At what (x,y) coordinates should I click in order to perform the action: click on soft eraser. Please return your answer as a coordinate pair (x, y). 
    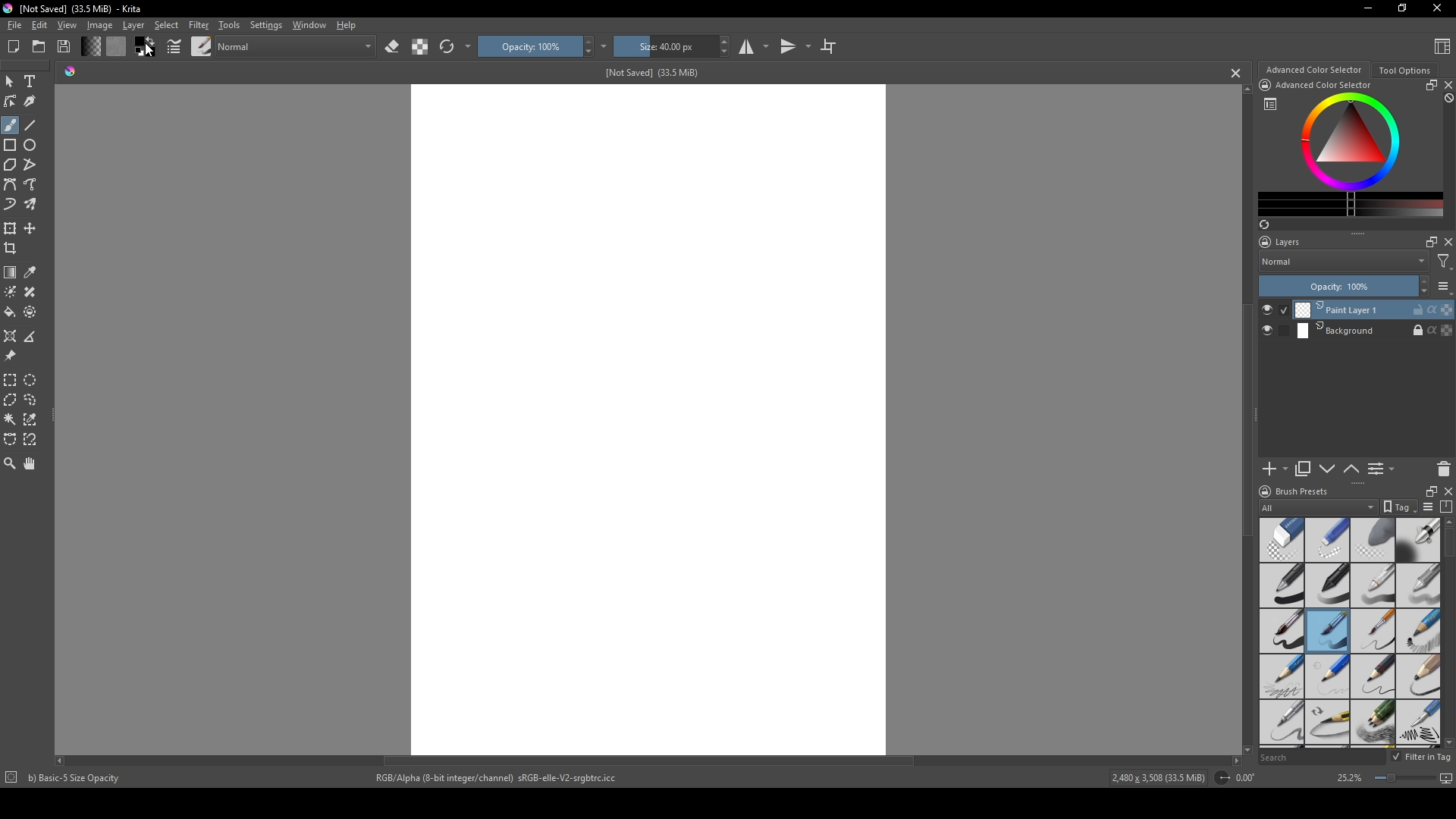
    Looking at the image, I should click on (1373, 539).